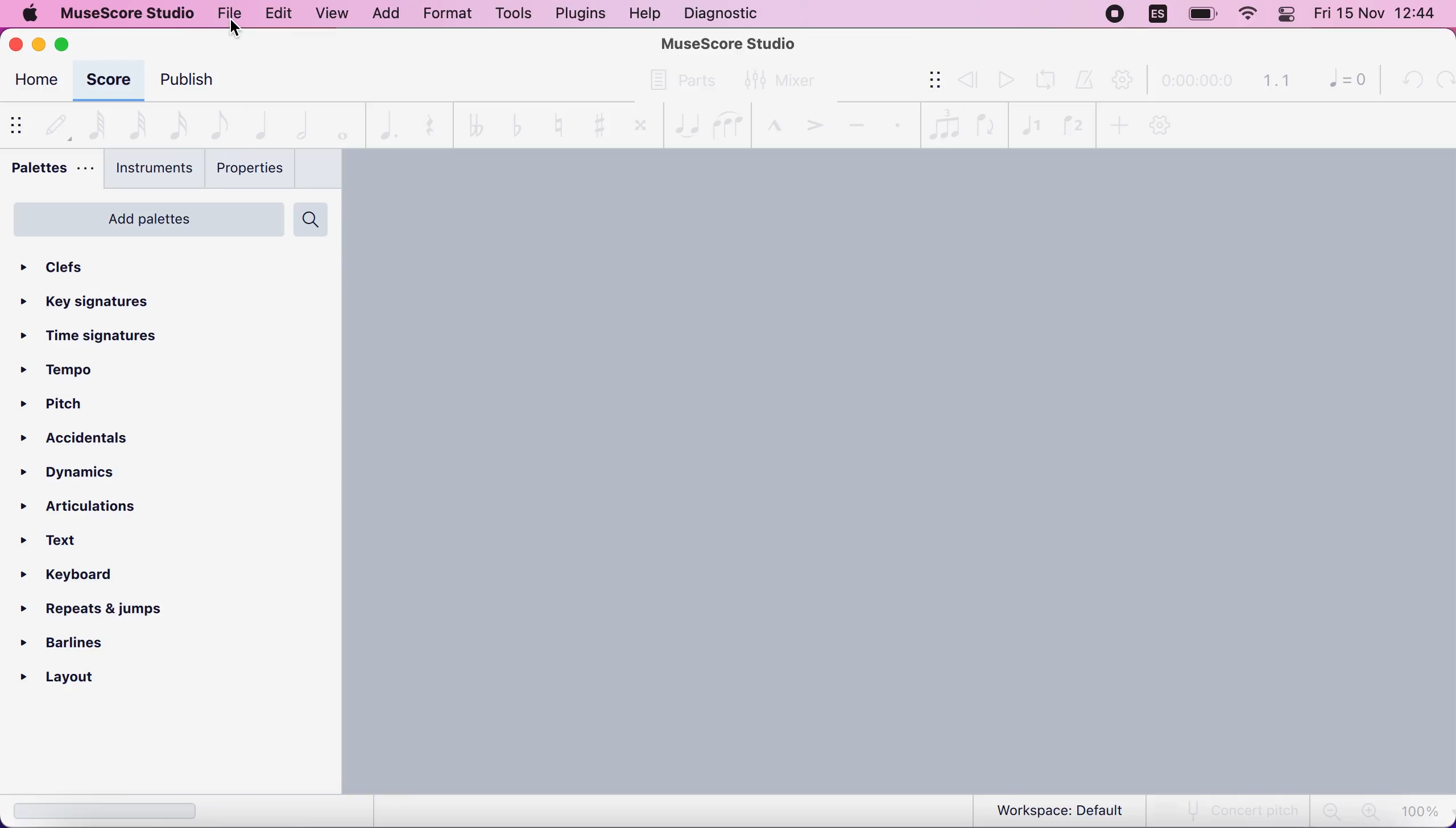  What do you see at coordinates (552, 125) in the screenshot?
I see `toggle natural` at bounding box center [552, 125].